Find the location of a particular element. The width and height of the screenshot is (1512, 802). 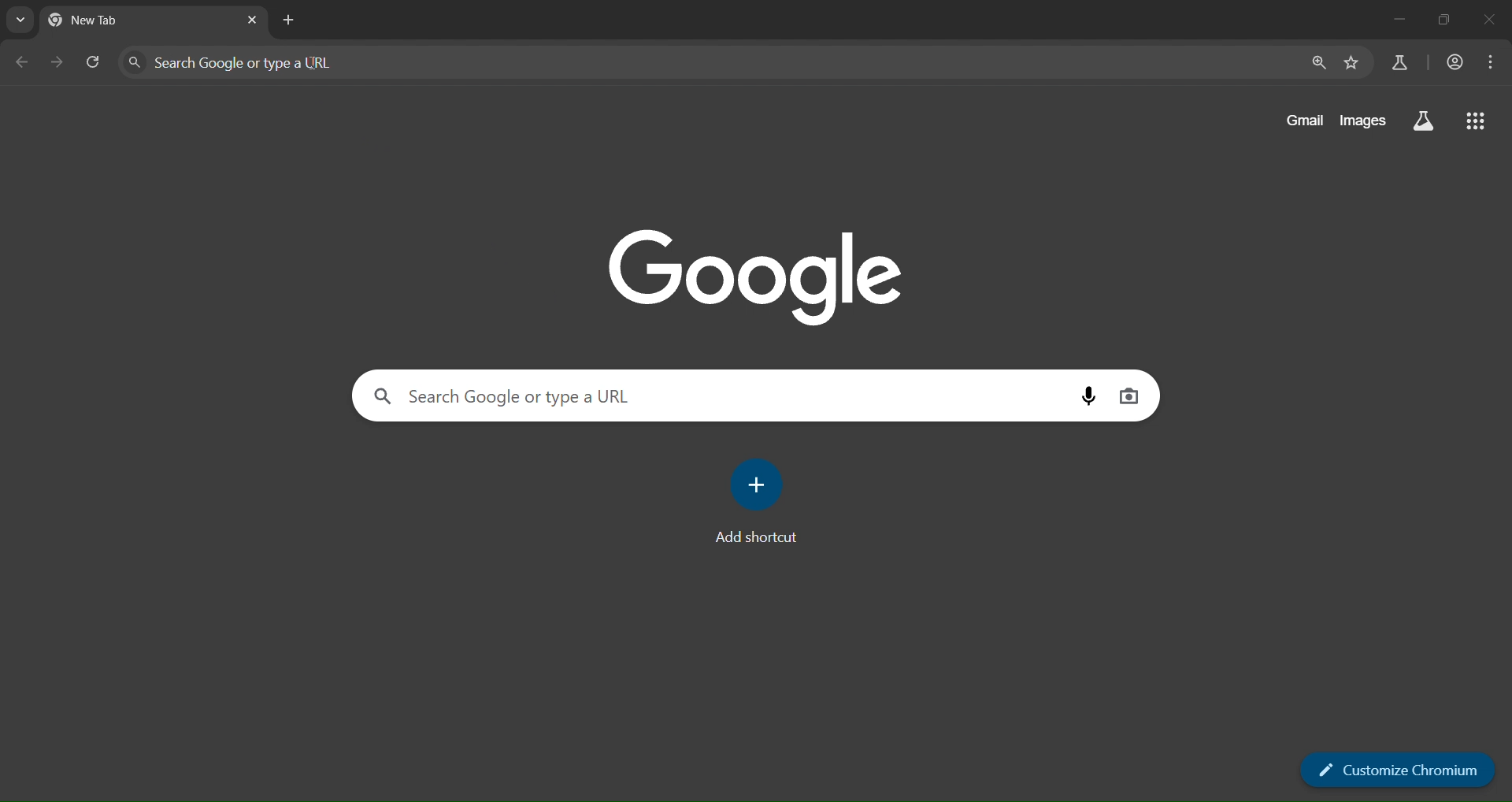

current tab is located at coordinates (130, 22).